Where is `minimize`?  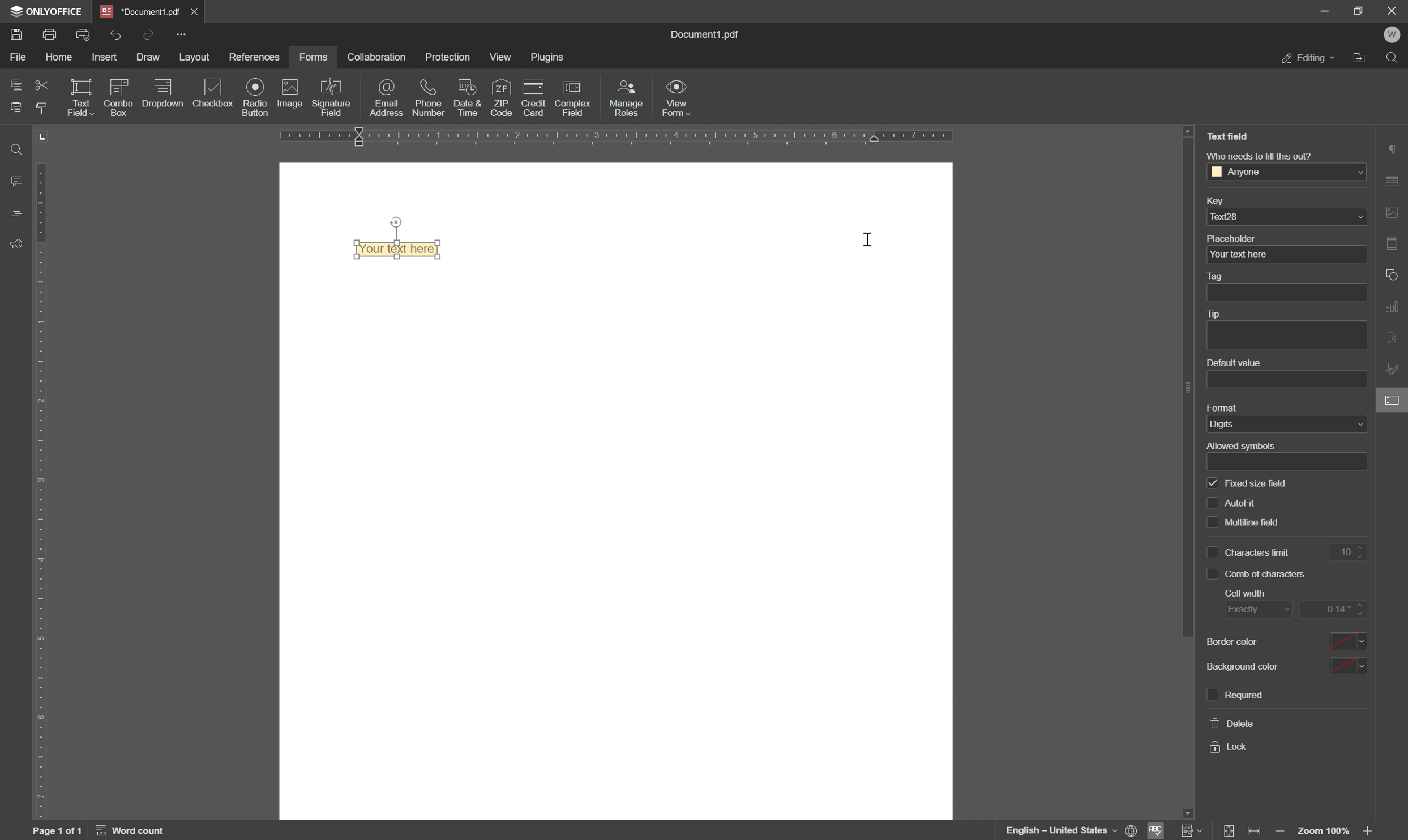
minimize is located at coordinates (1325, 11).